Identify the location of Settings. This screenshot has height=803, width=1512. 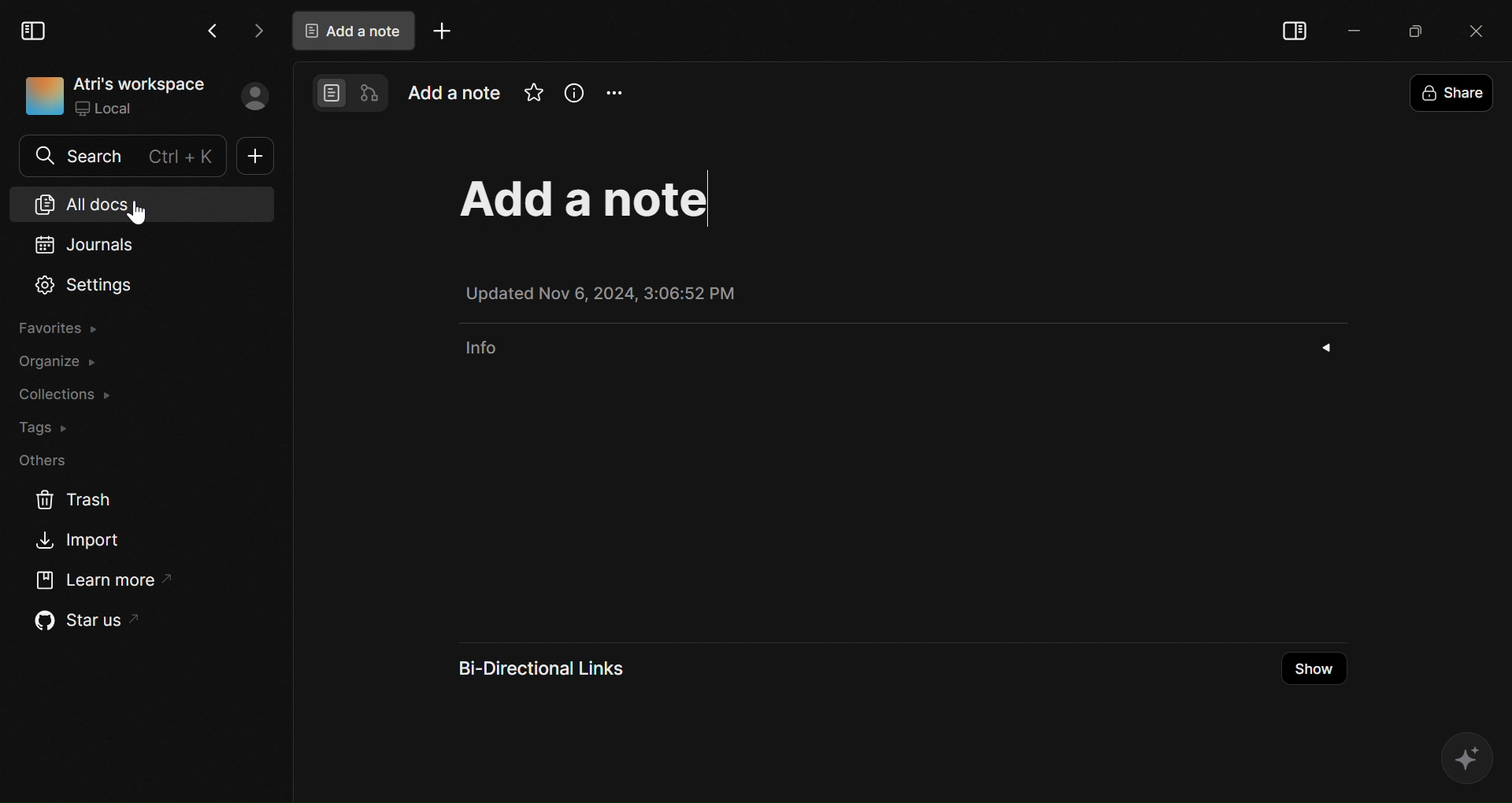
(86, 285).